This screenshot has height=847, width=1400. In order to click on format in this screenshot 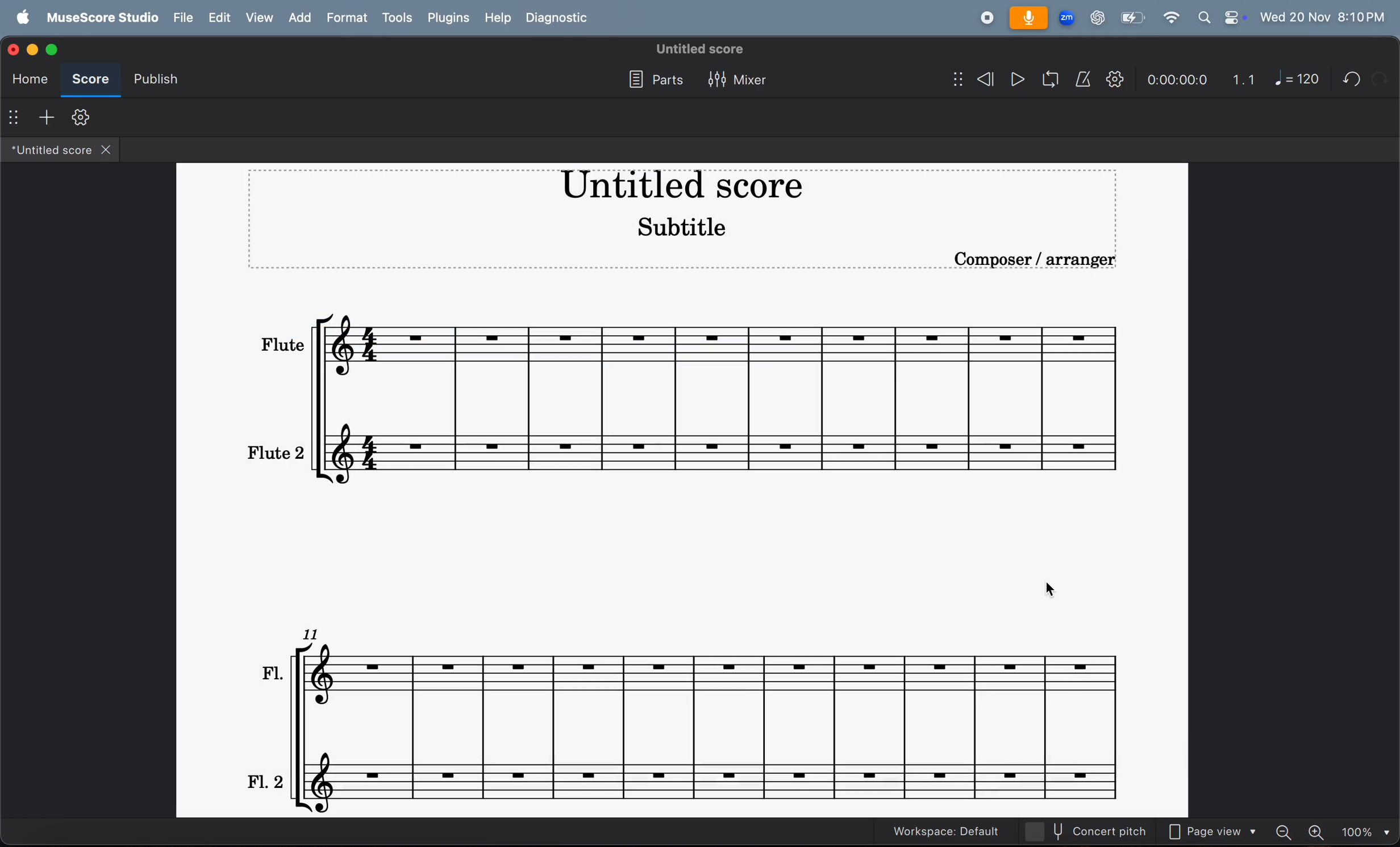, I will do `click(349, 18)`.